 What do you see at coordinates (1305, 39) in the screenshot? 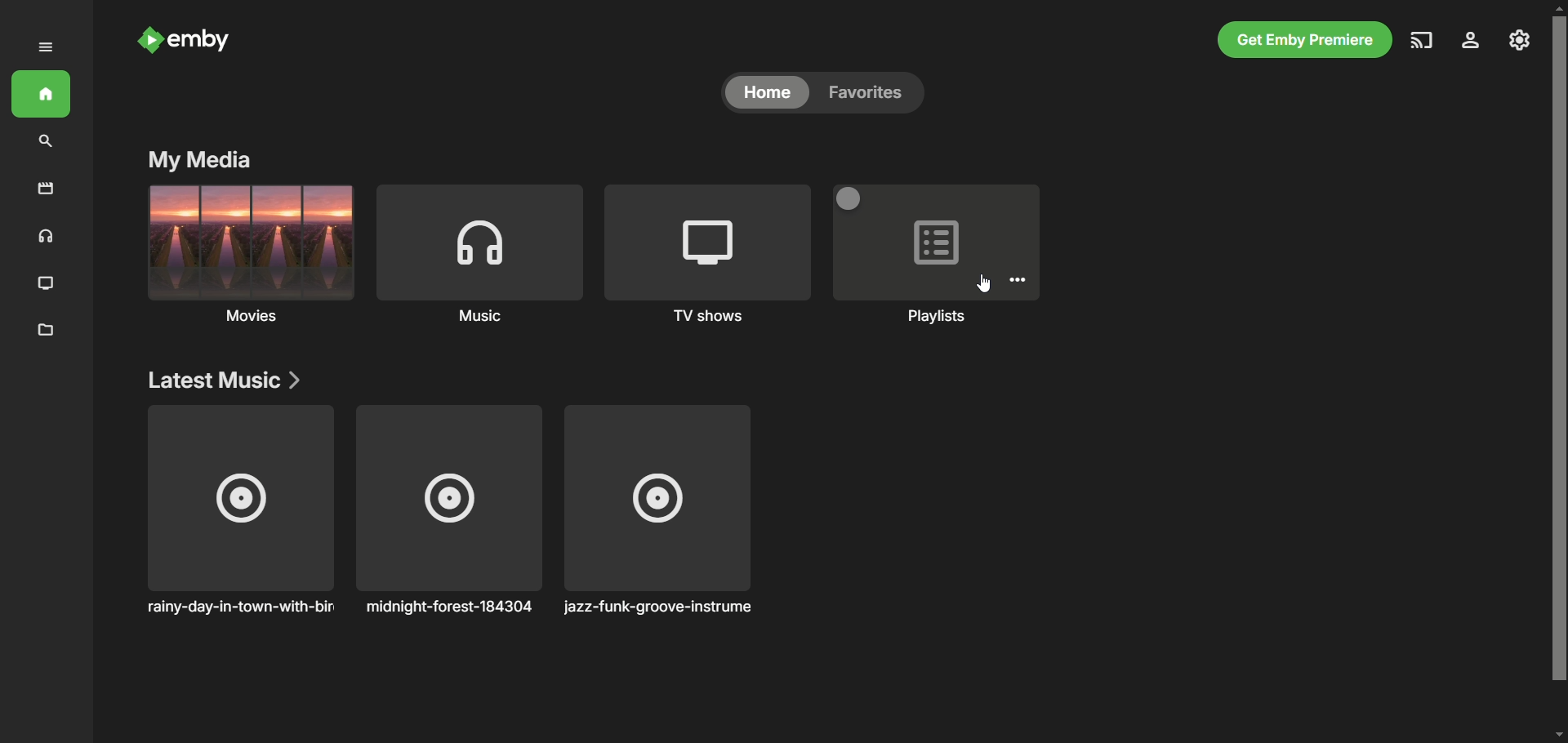
I see `get emby premiere` at bounding box center [1305, 39].